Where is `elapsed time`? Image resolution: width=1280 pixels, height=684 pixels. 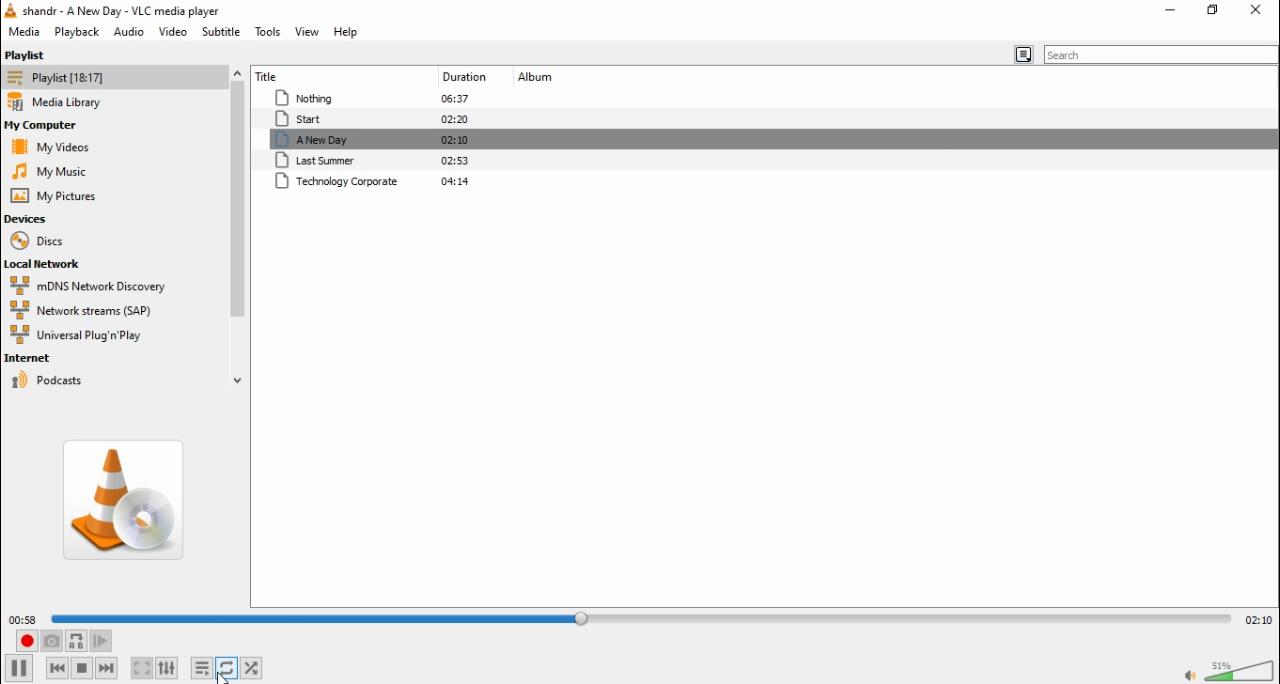 elapsed time is located at coordinates (22, 619).